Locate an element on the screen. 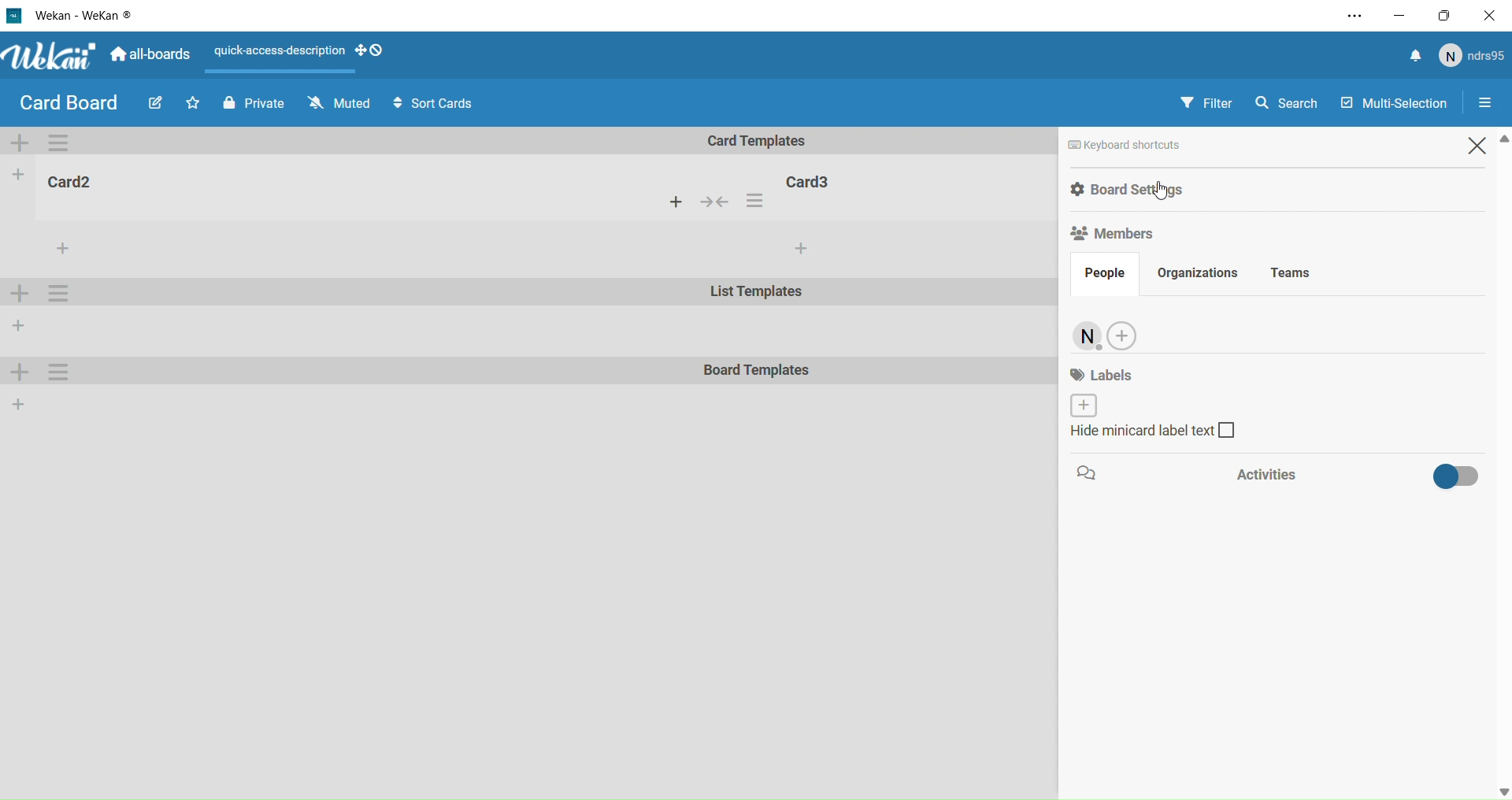  quick access description is located at coordinates (275, 54).